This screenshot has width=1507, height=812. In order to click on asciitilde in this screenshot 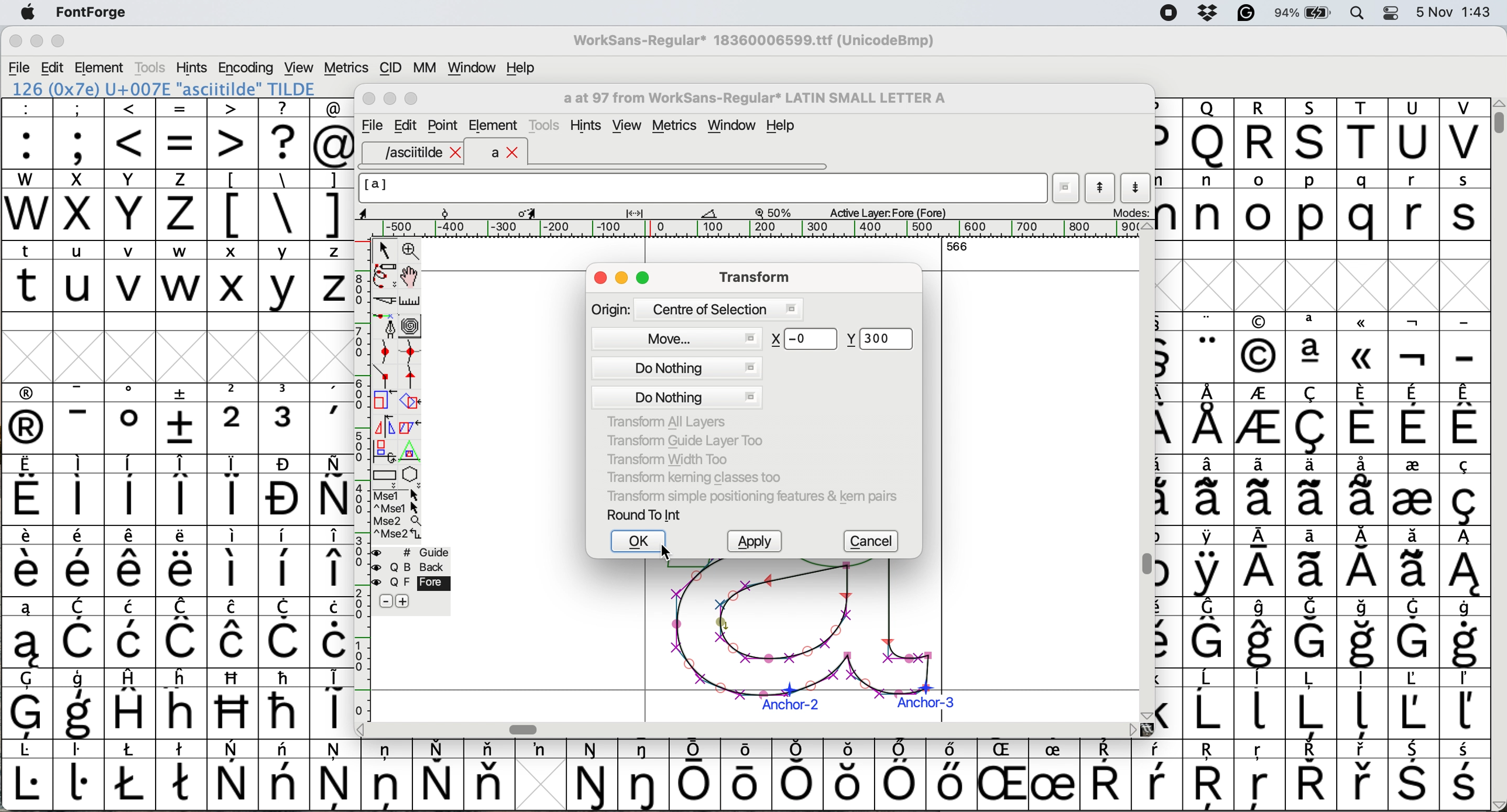, I will do `click(421, 153)`.